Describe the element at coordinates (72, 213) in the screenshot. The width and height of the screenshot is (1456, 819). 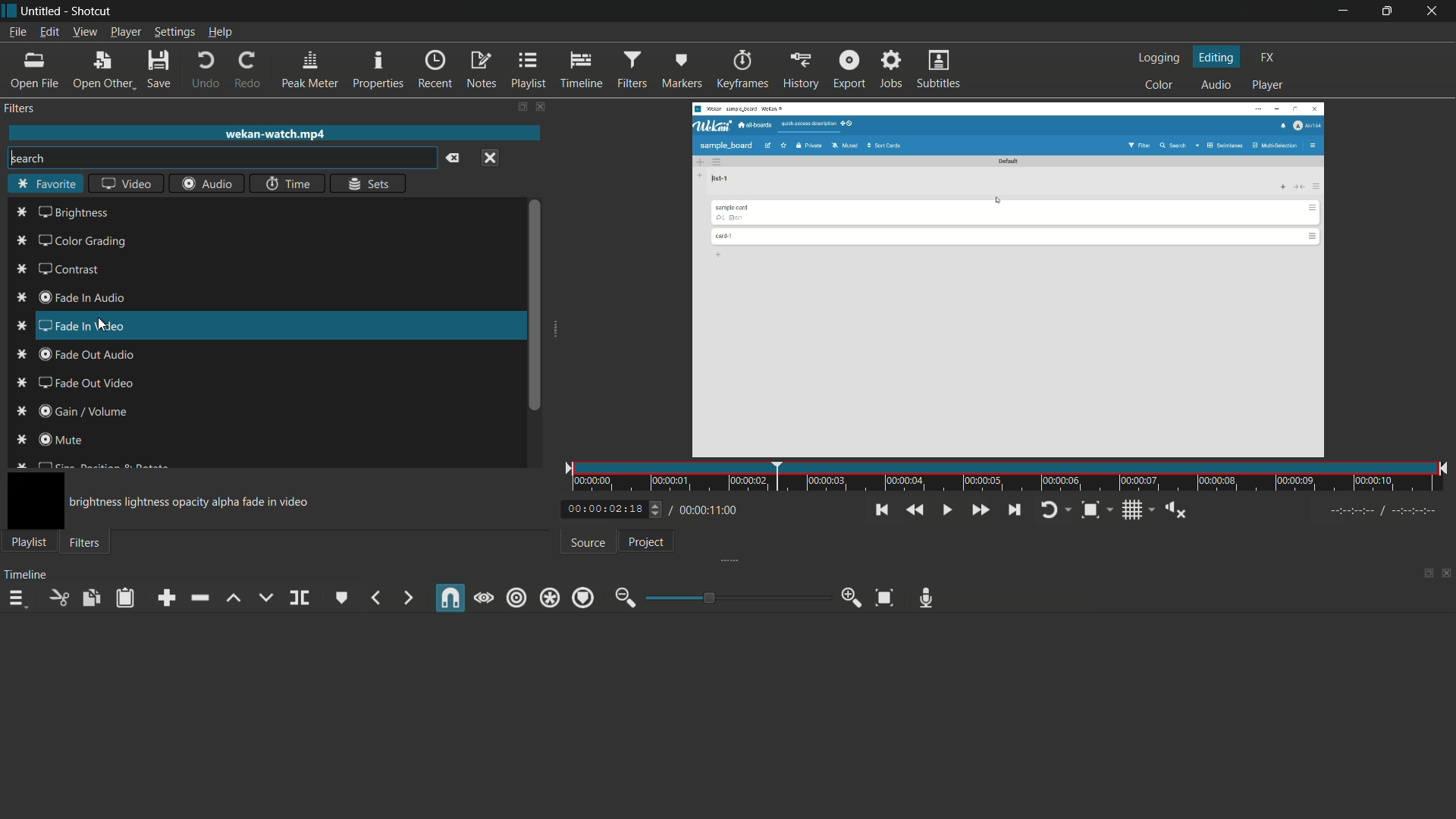
I see `brightness` at that location.